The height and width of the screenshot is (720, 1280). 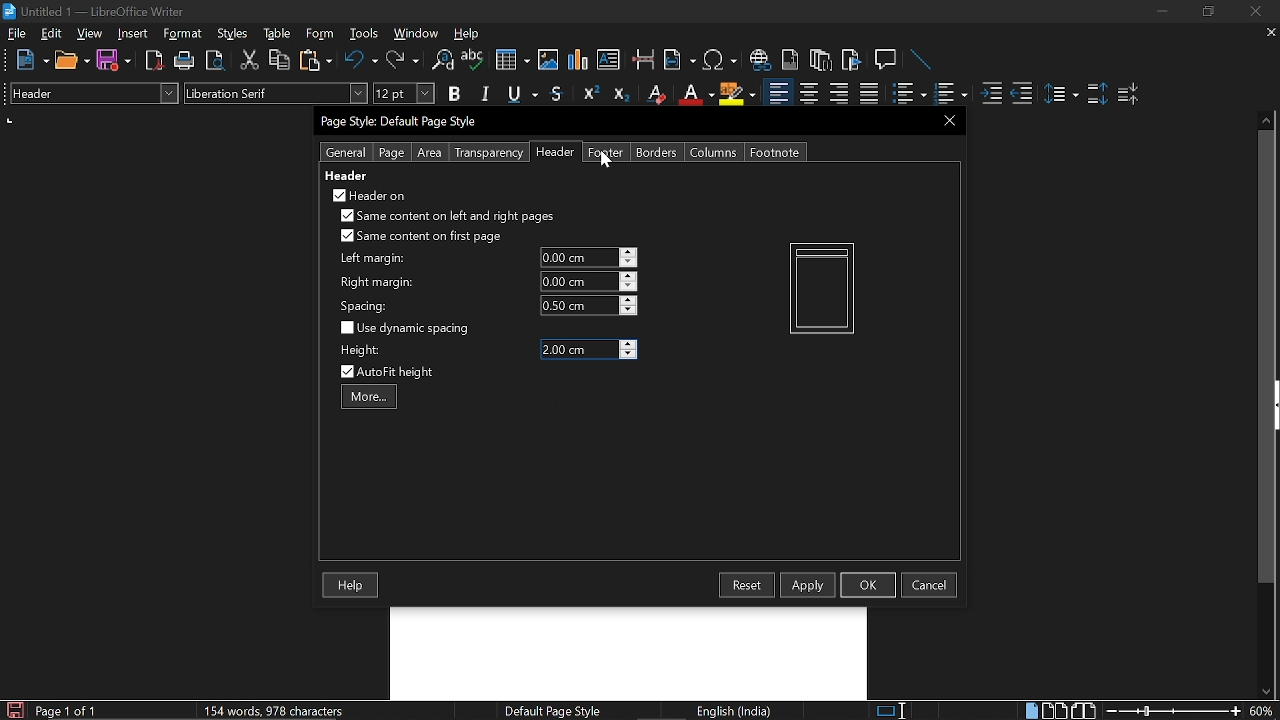 I want to click on Undo, so click(x=362, y=60).